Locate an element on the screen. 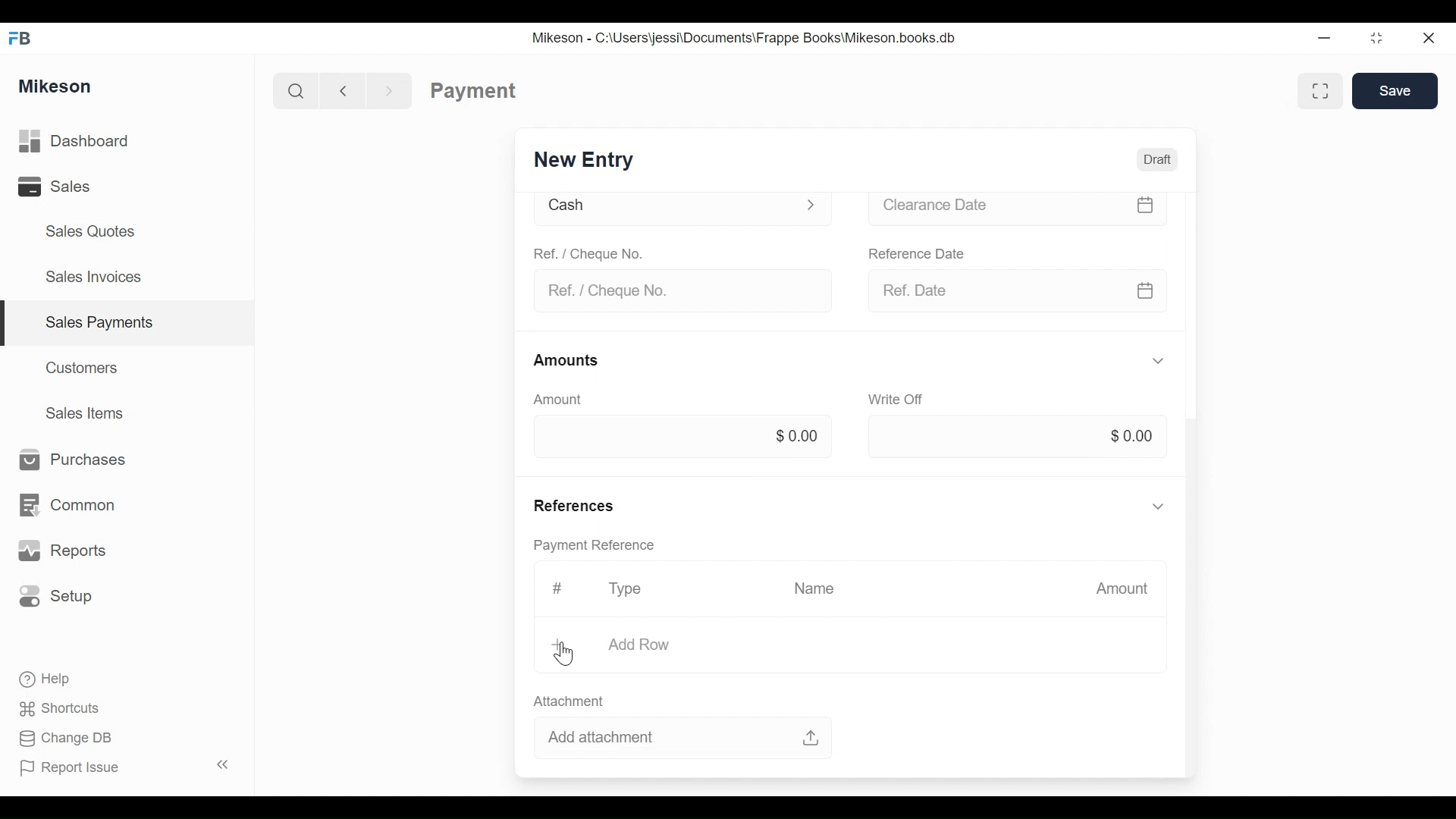 The height and width of the screenshot is (819, 1456). Mikeson - C:\Users\jessi\Documents\Frappe Books\Mikeson.books.db is located at coordinates (745, 38).